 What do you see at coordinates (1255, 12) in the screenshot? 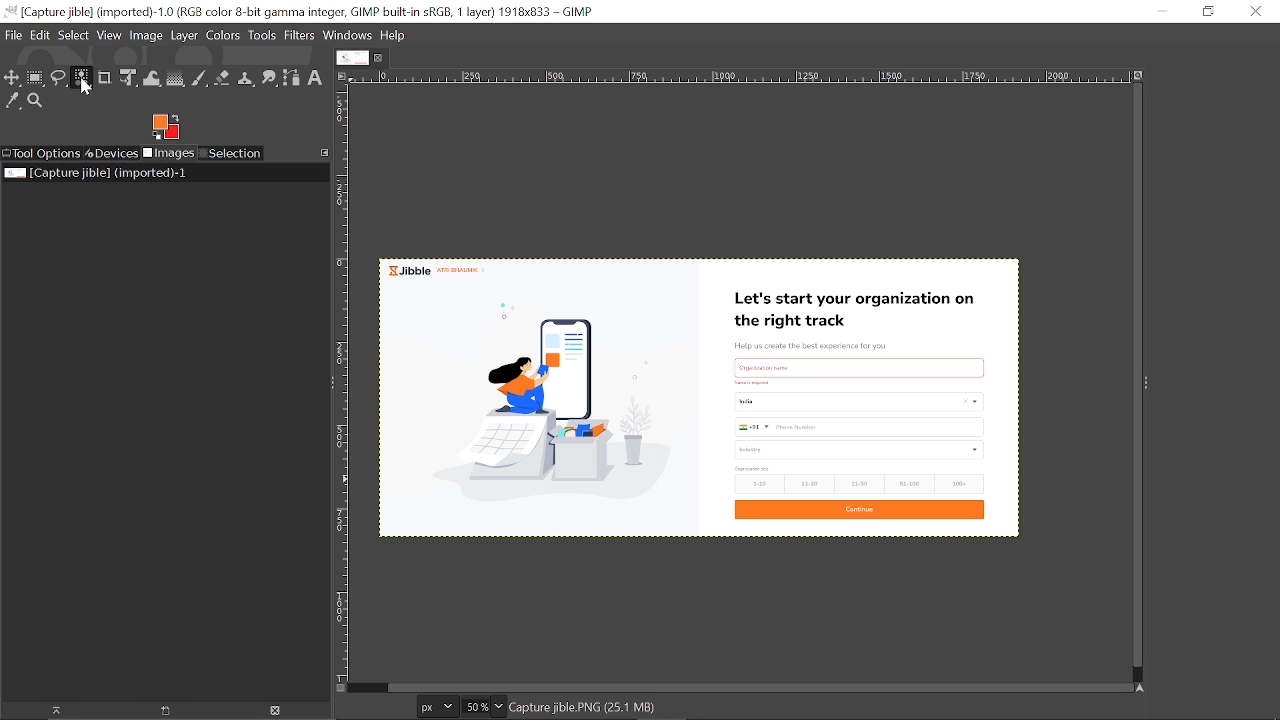
I see `Close` at bounding box center [1255, 12].